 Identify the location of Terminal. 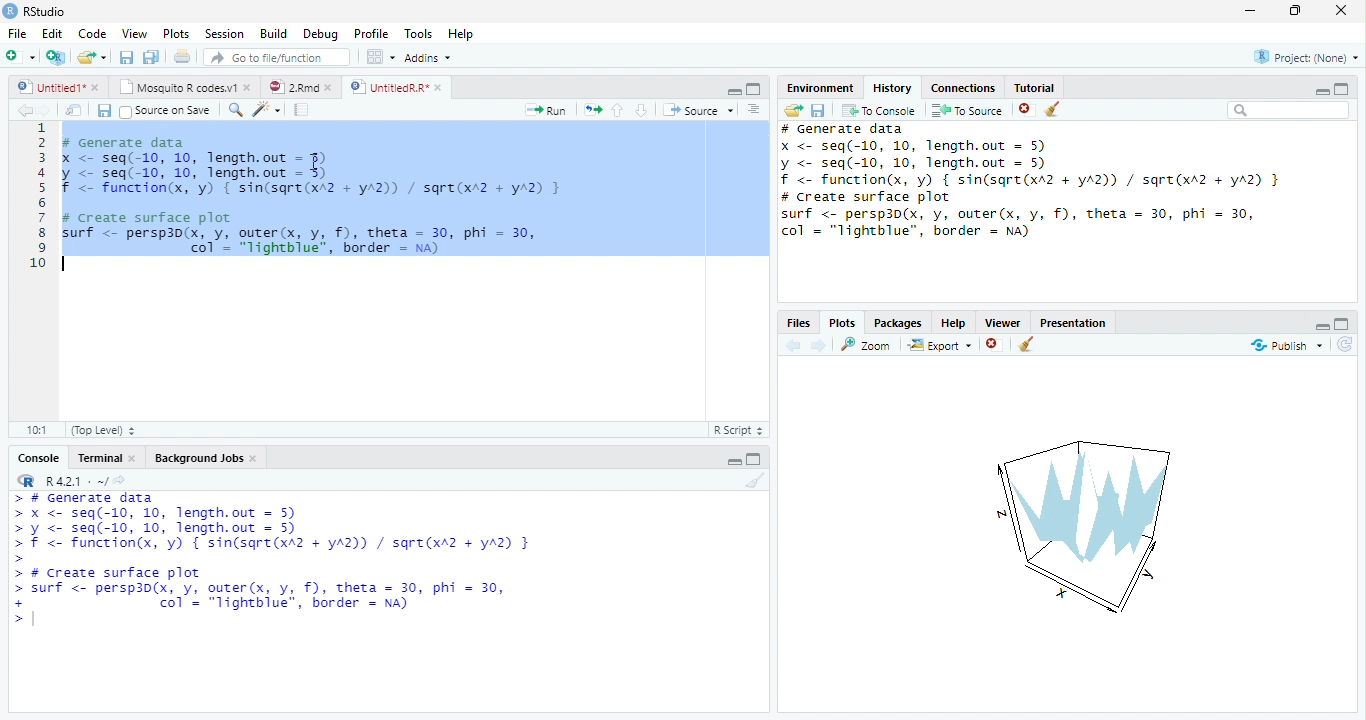
(99, 458).